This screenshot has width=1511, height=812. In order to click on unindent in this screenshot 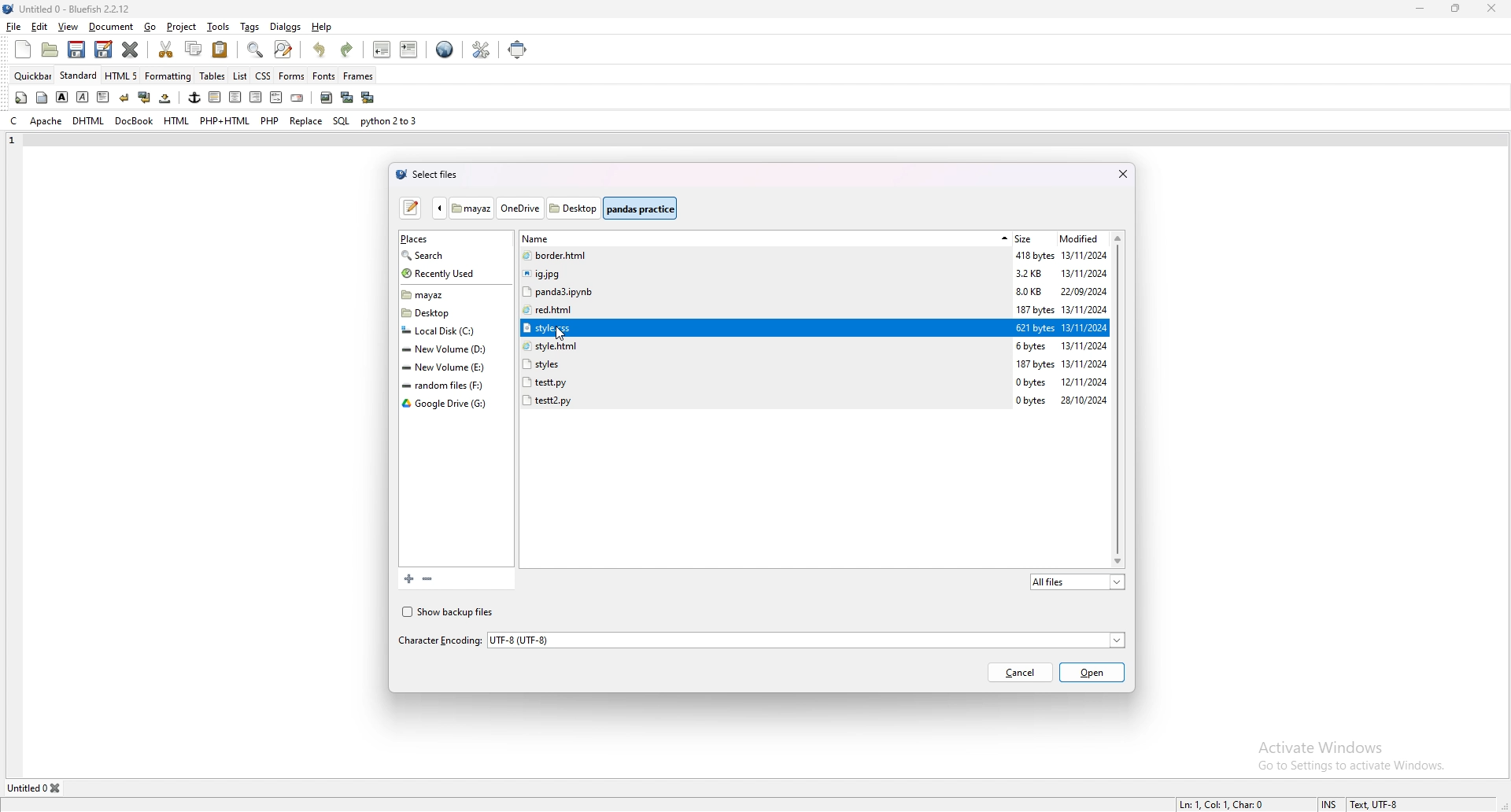, I will do `click(383, 49)`.